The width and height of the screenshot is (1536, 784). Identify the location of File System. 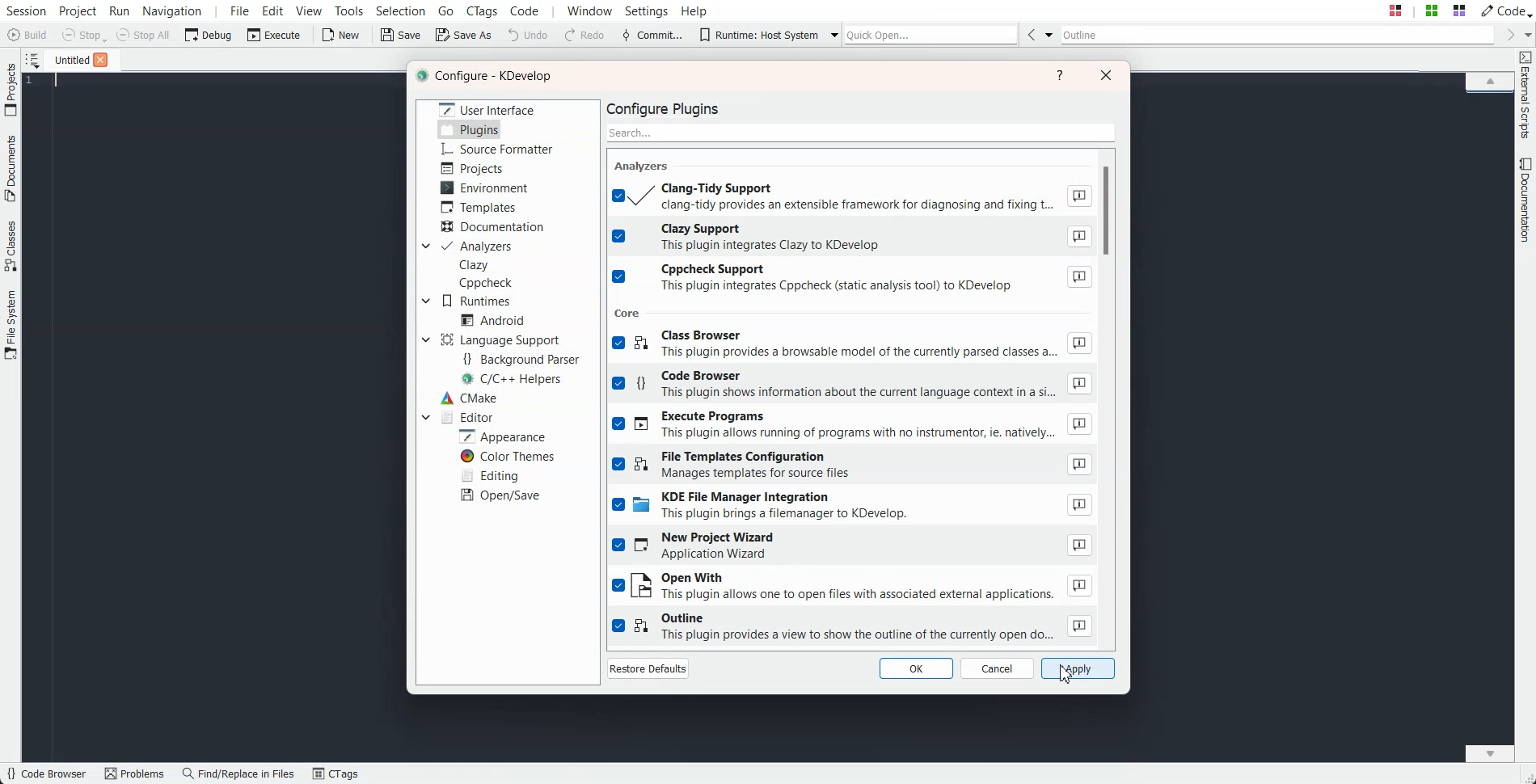
(11, 327).